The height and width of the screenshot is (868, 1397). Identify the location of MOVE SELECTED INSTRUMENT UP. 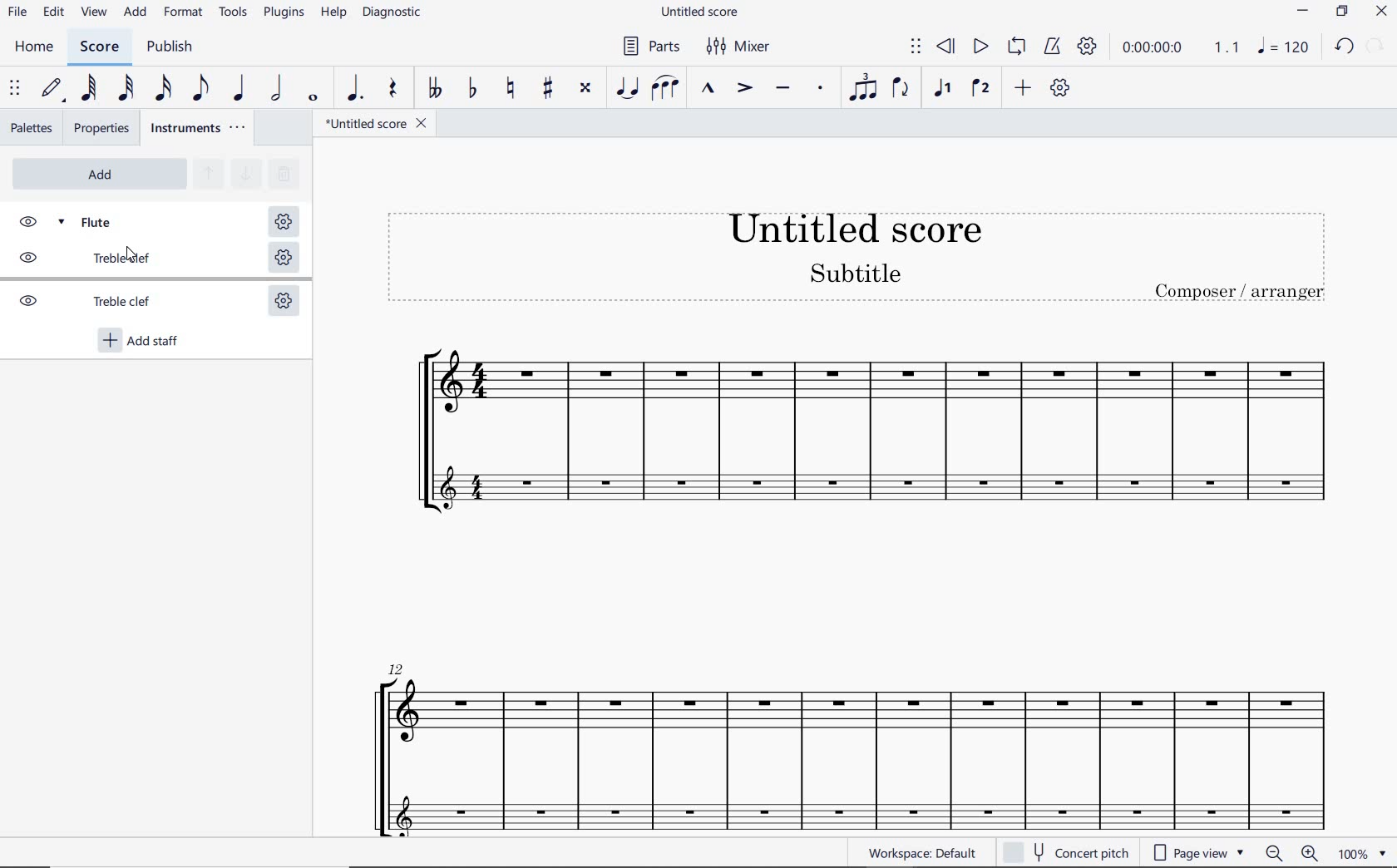
(207, 175).